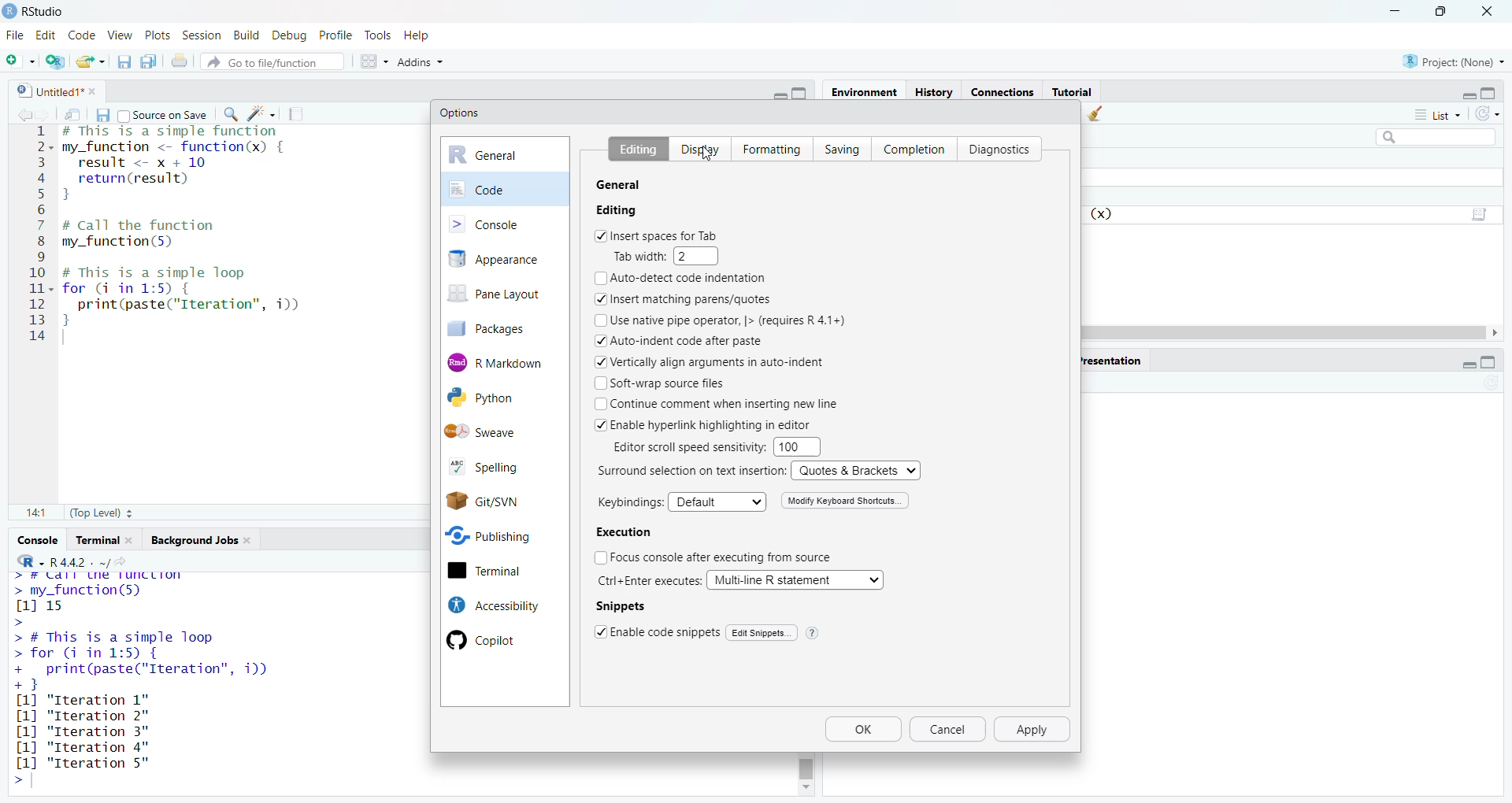 The image size is (1512, 803). I want to click on Copilot, so click(490, 641).